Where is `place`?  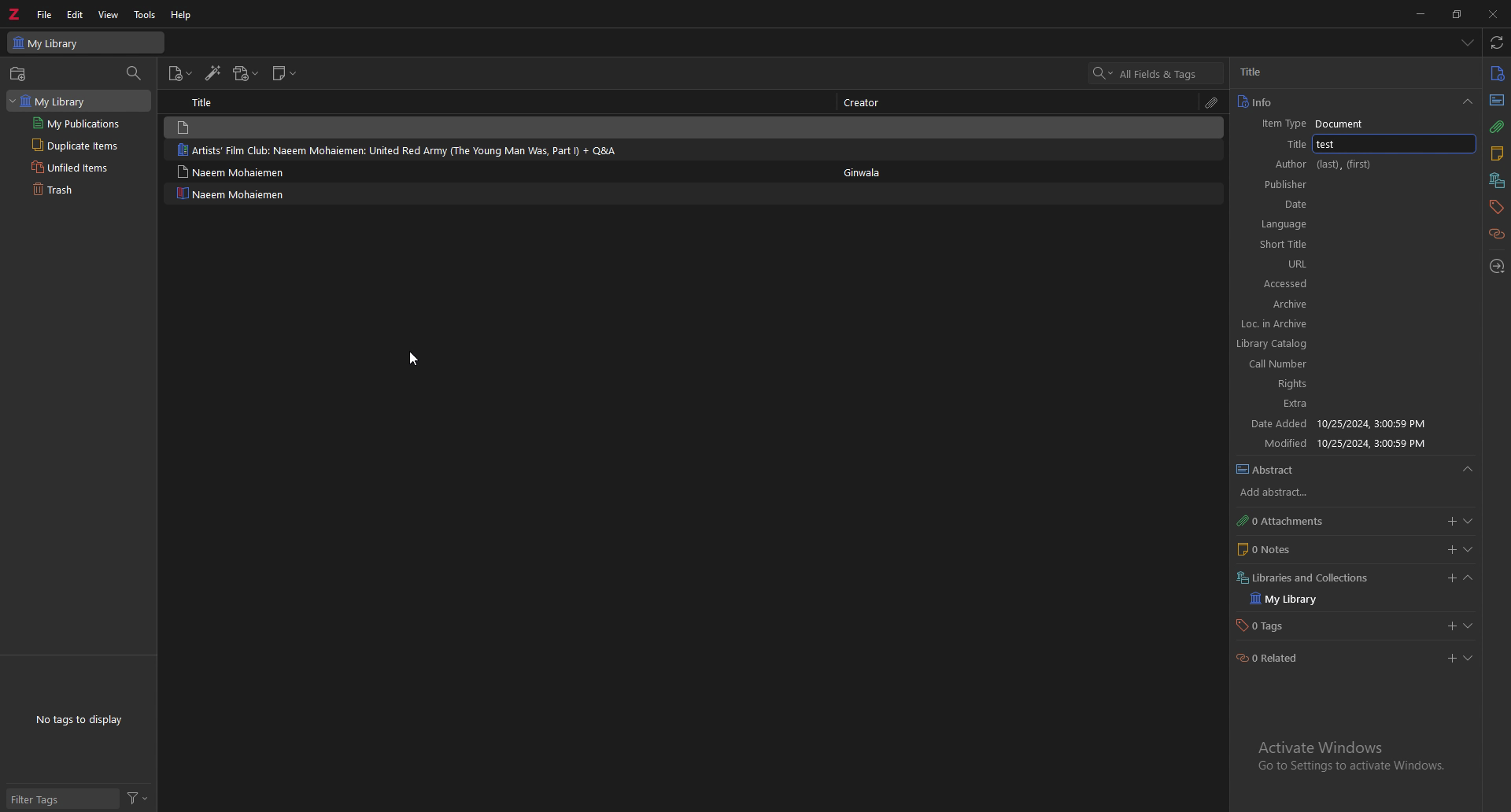 place is located at coordinates (1279, 304).